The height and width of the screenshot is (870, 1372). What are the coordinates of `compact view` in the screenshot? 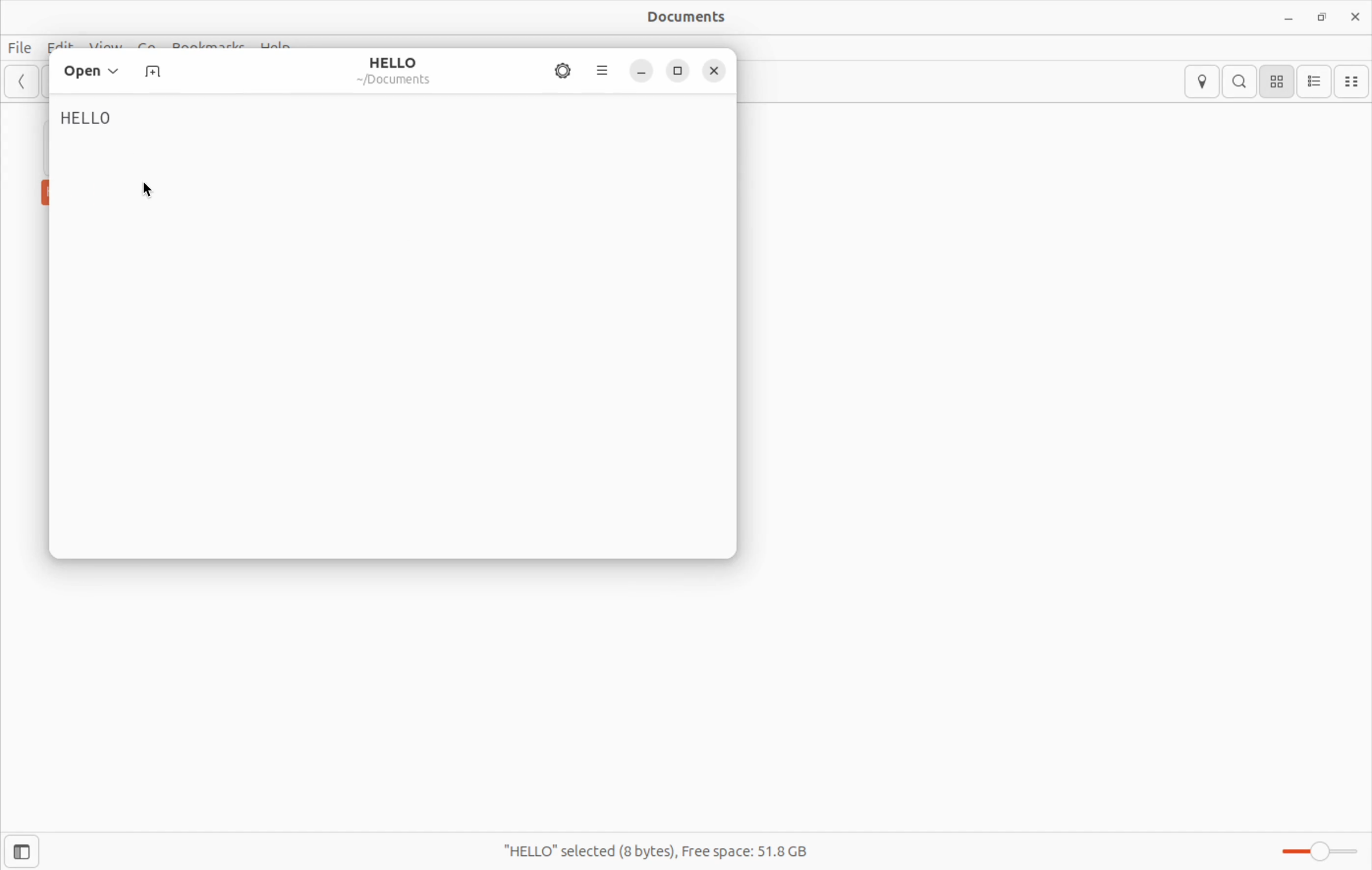 It's located at (1355, 80).